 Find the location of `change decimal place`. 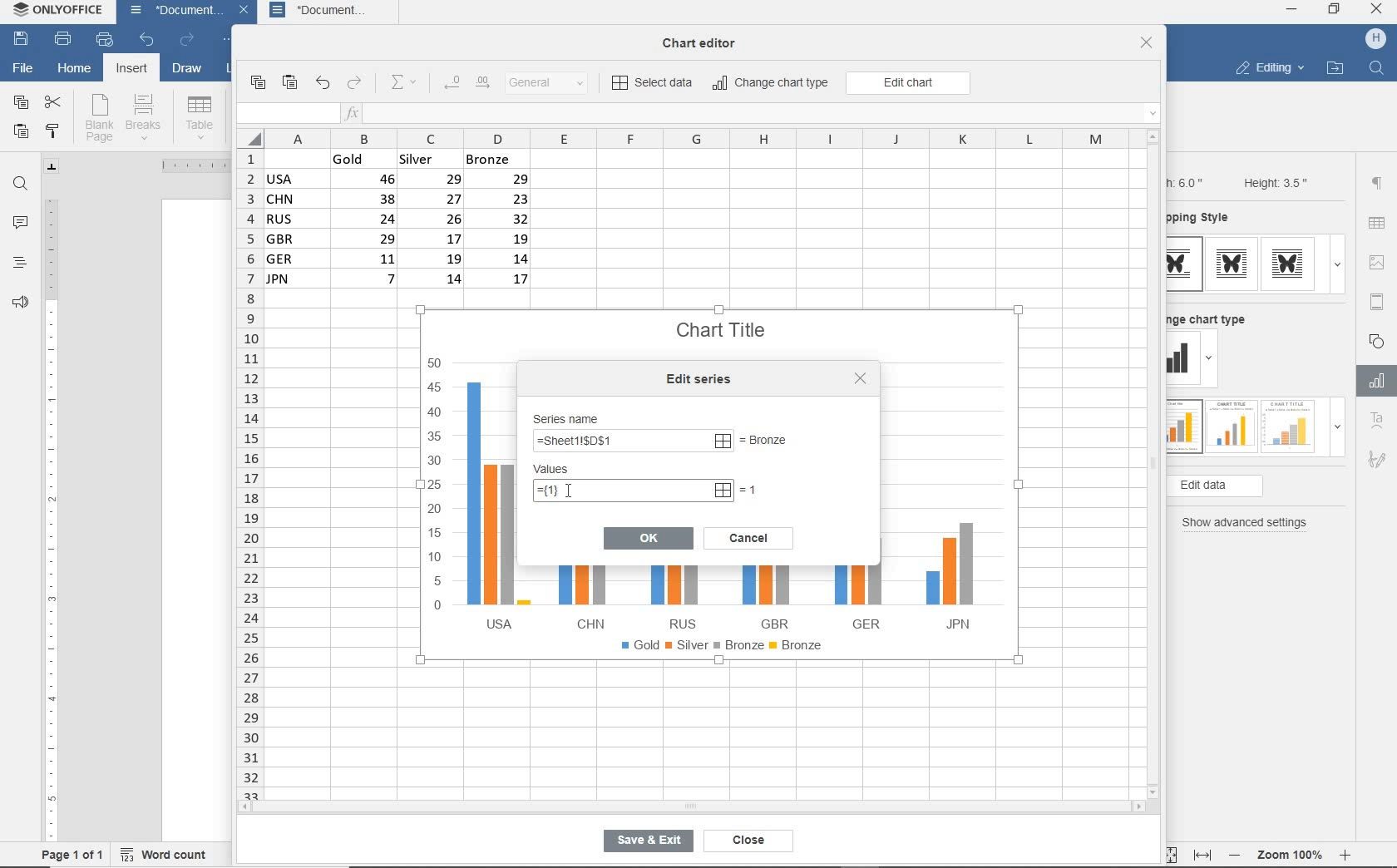

change decimal place is located at coordinates (466, 83).